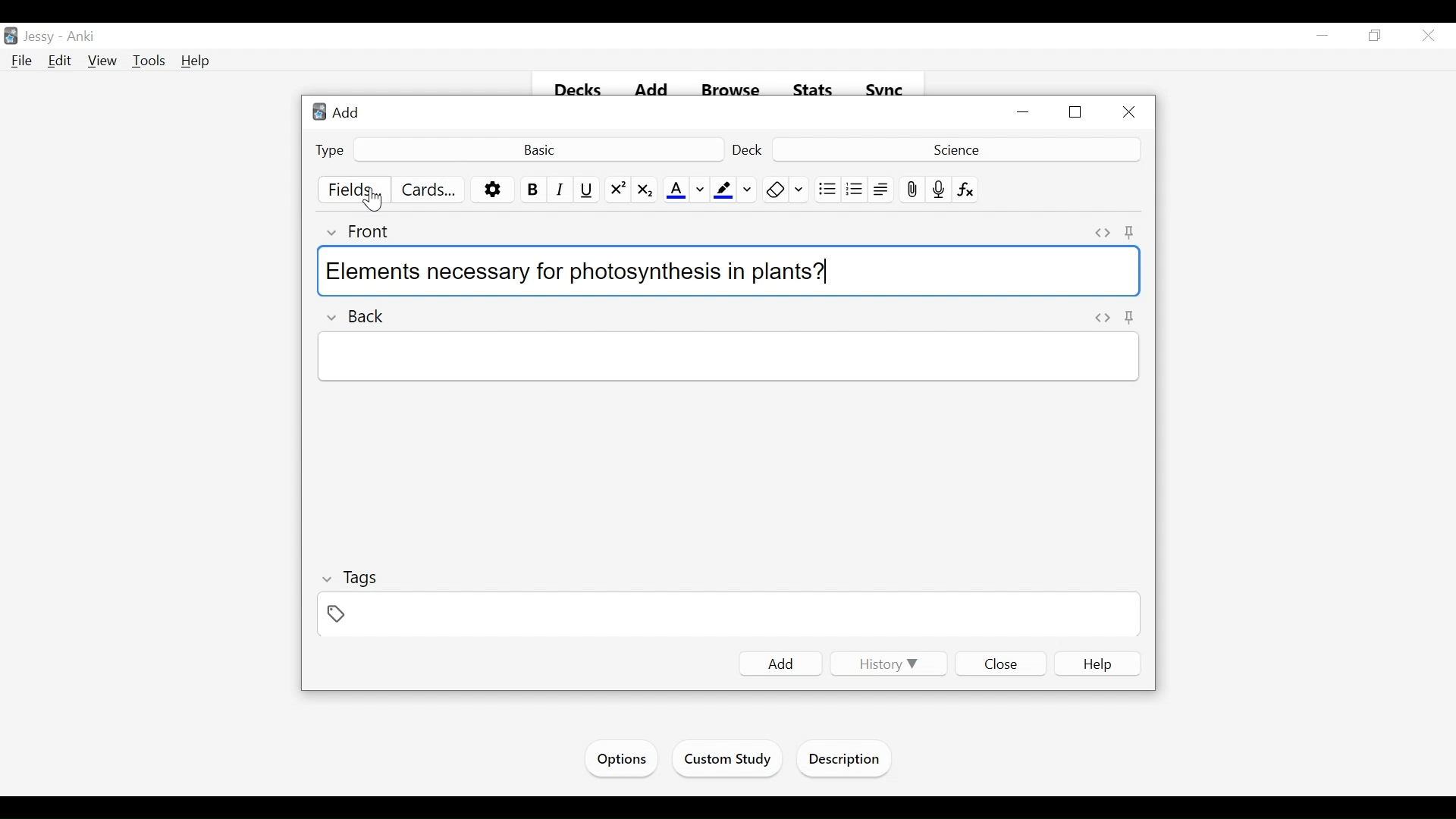  I want to click on Help, so click(1098, 664).